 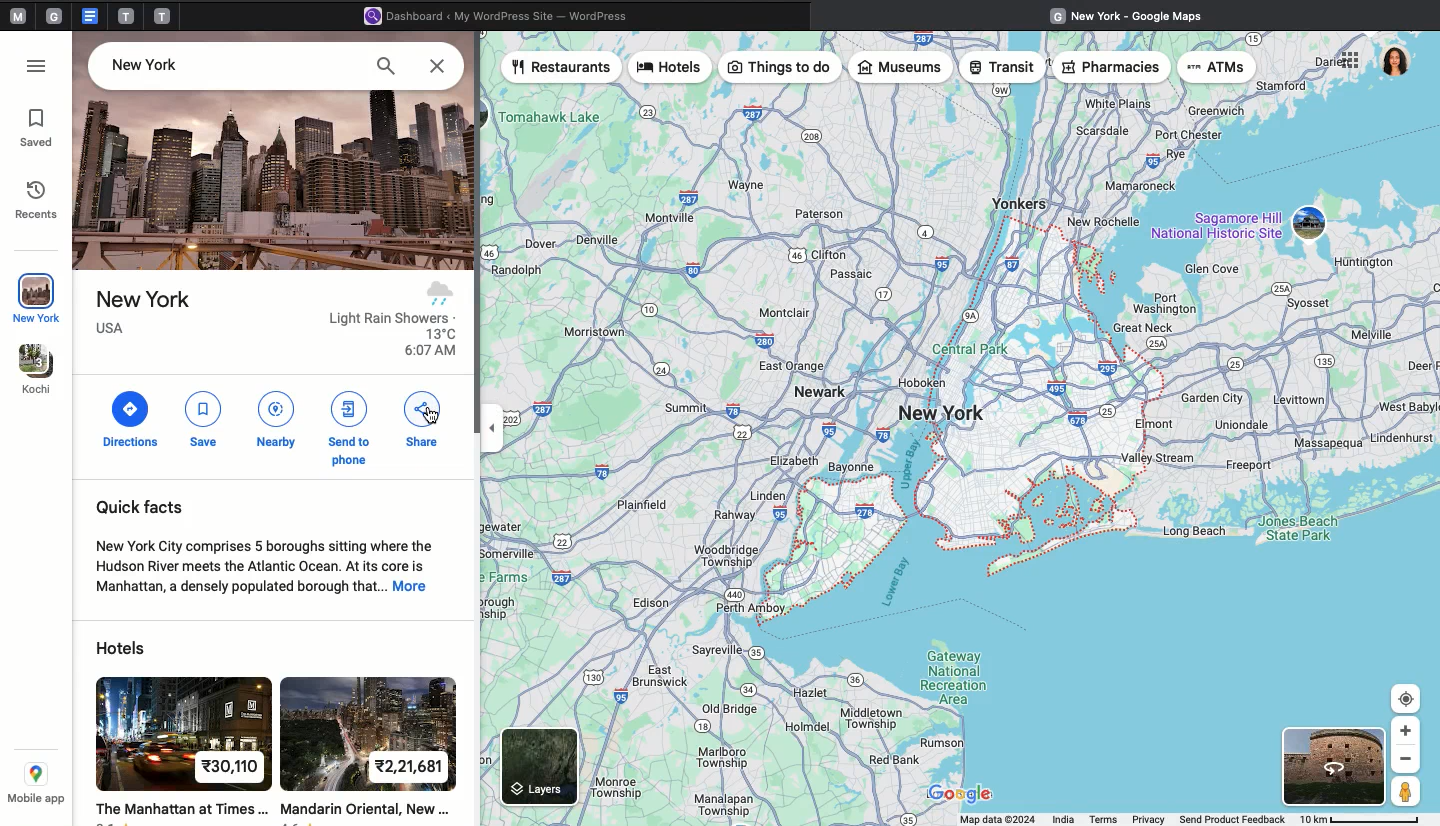 I want to click on scroll, so click(x=478, y=214).